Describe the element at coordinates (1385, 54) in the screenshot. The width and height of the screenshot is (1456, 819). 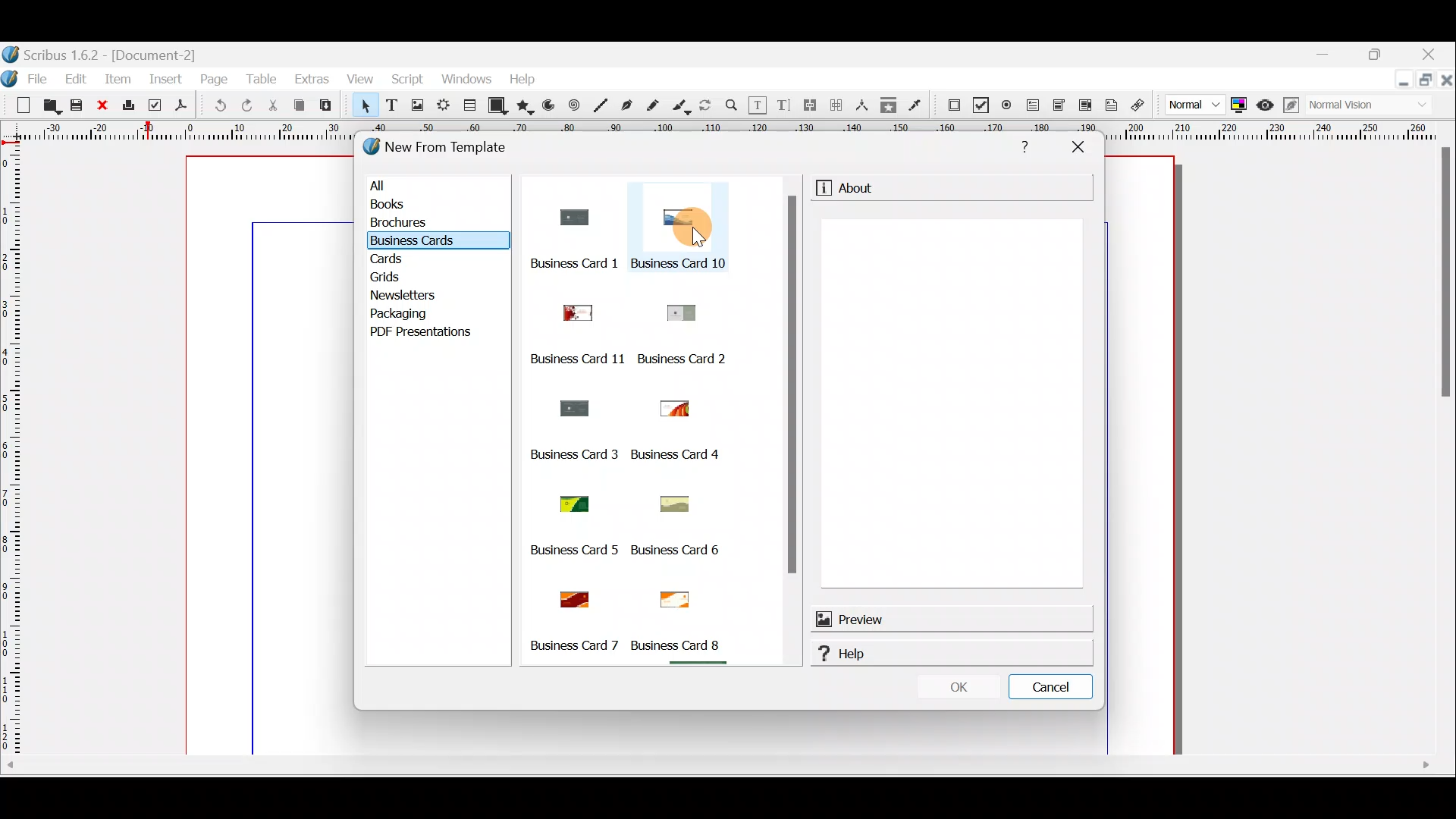
I see `Maximise` at that location.